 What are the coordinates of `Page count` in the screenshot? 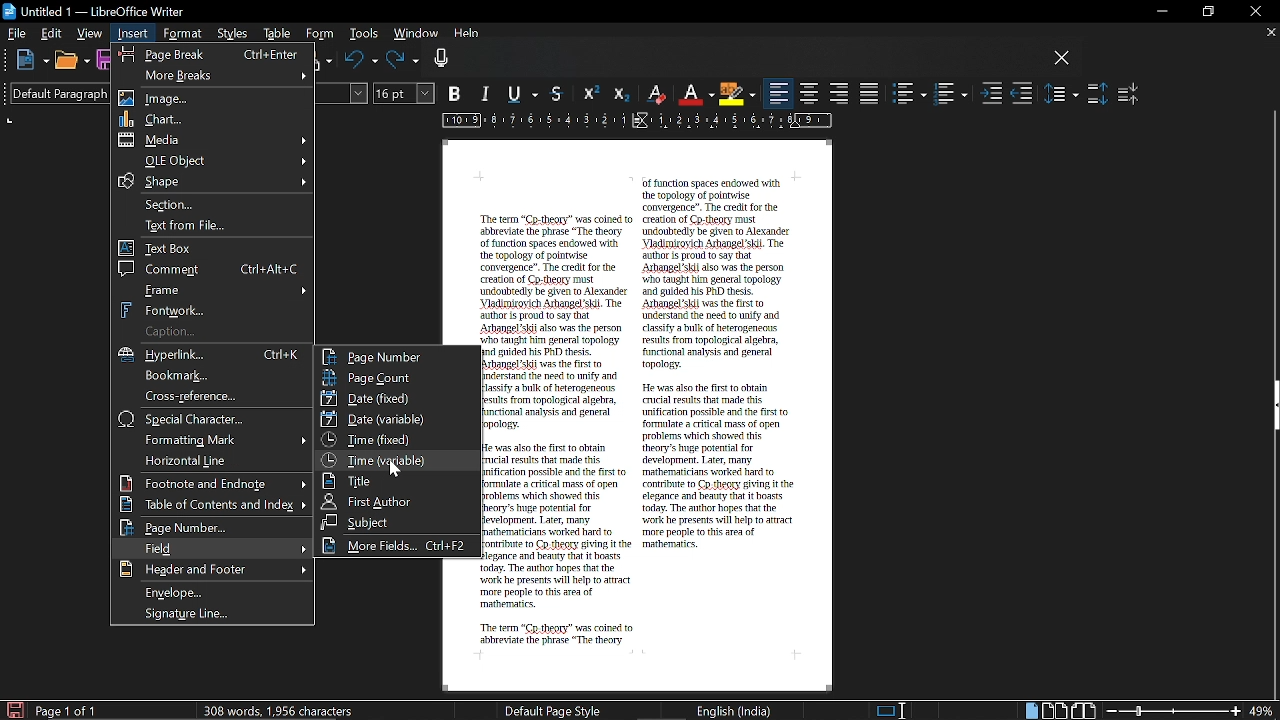 It's located at (397, 377).